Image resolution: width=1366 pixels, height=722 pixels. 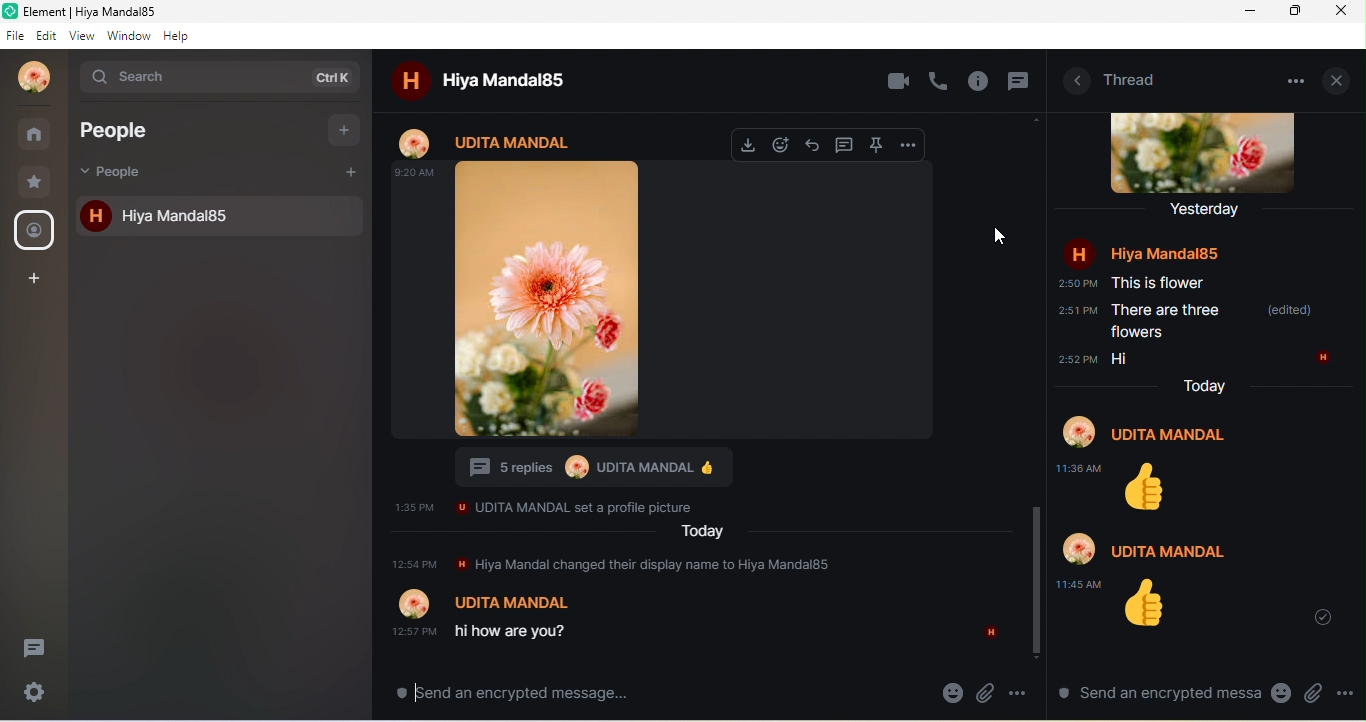 I want to click on attachment, so click(x=989, y=695).